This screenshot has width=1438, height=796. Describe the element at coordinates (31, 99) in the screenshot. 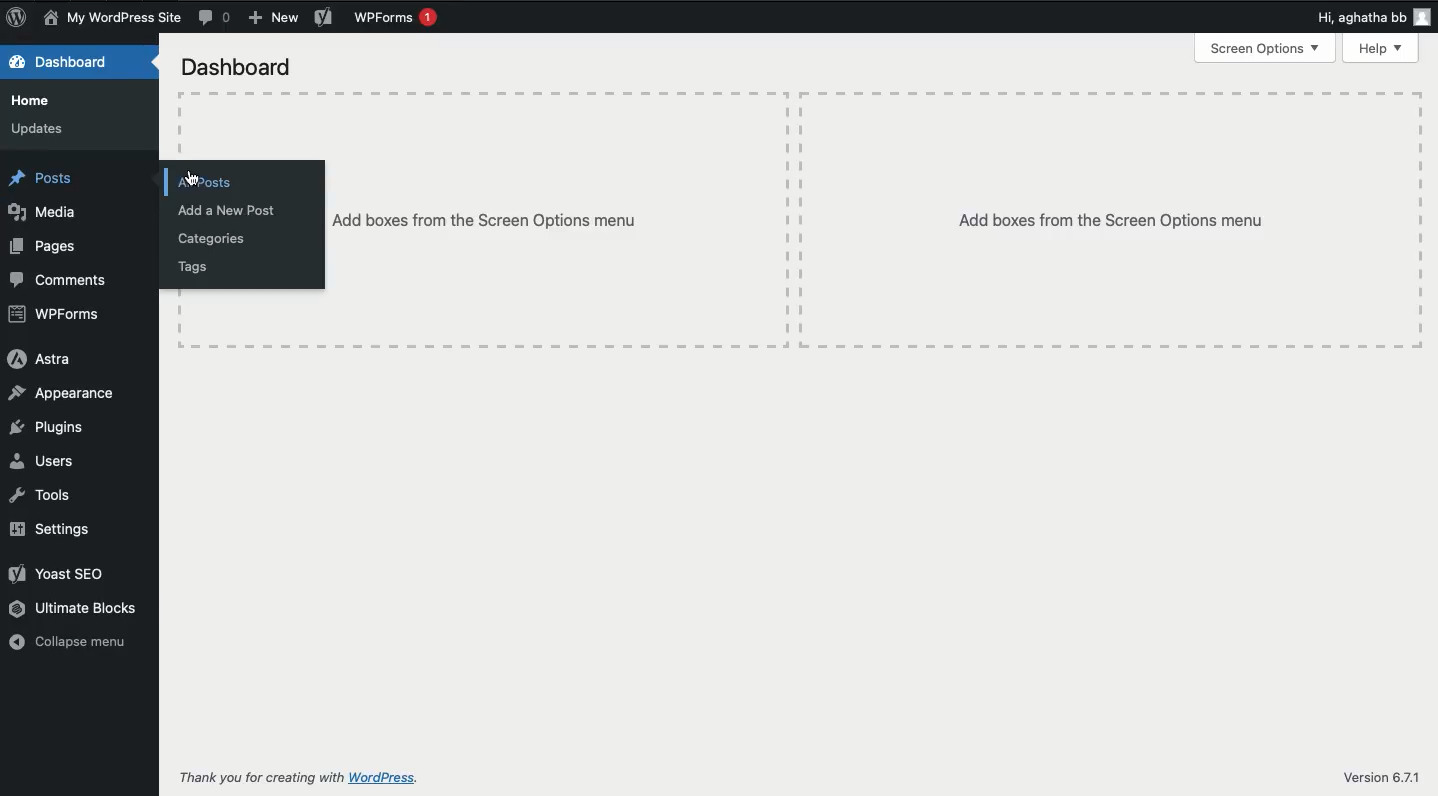

I see `Home` at that location.